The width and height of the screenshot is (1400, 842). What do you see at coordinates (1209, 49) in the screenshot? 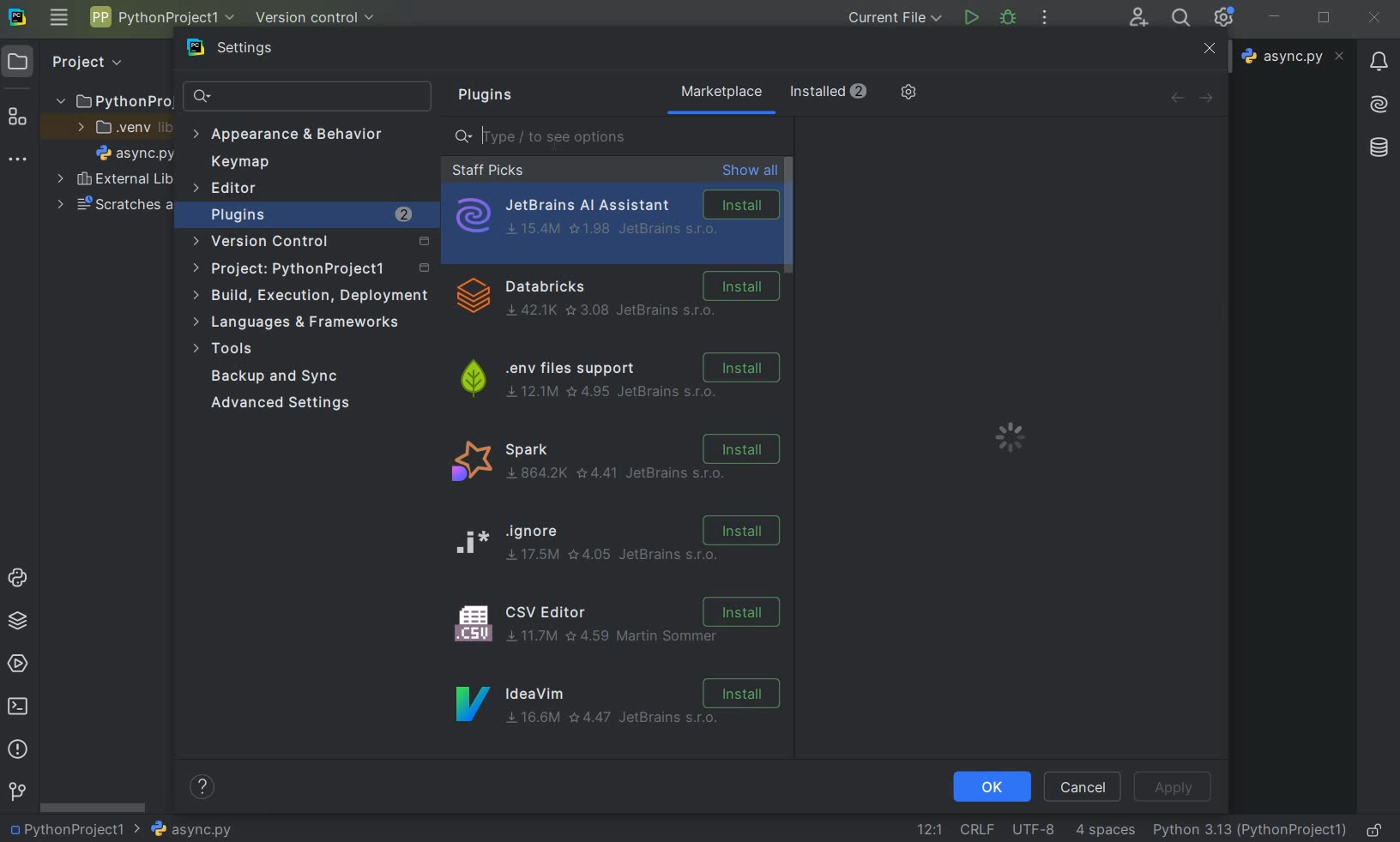
I see `close` at bounding box center [1209, 49].